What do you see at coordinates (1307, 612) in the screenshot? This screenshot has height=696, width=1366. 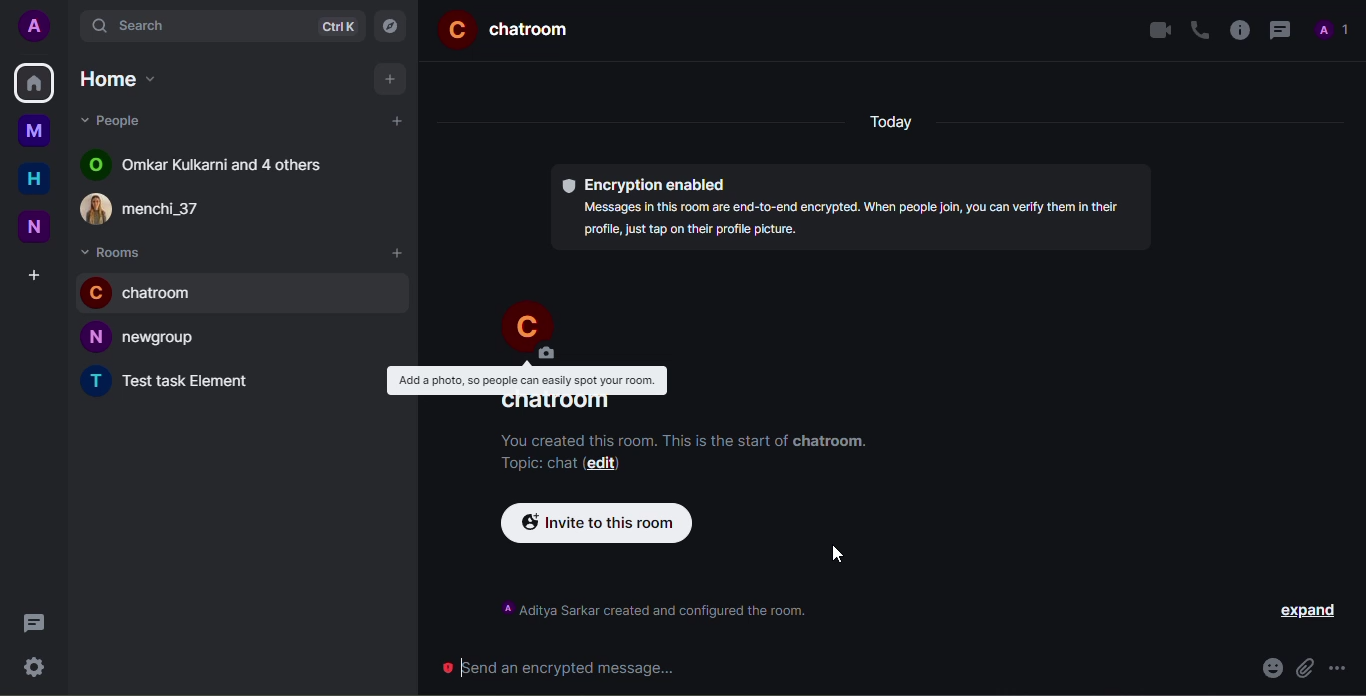 I see `expand` at bounding box center [1307, 612].